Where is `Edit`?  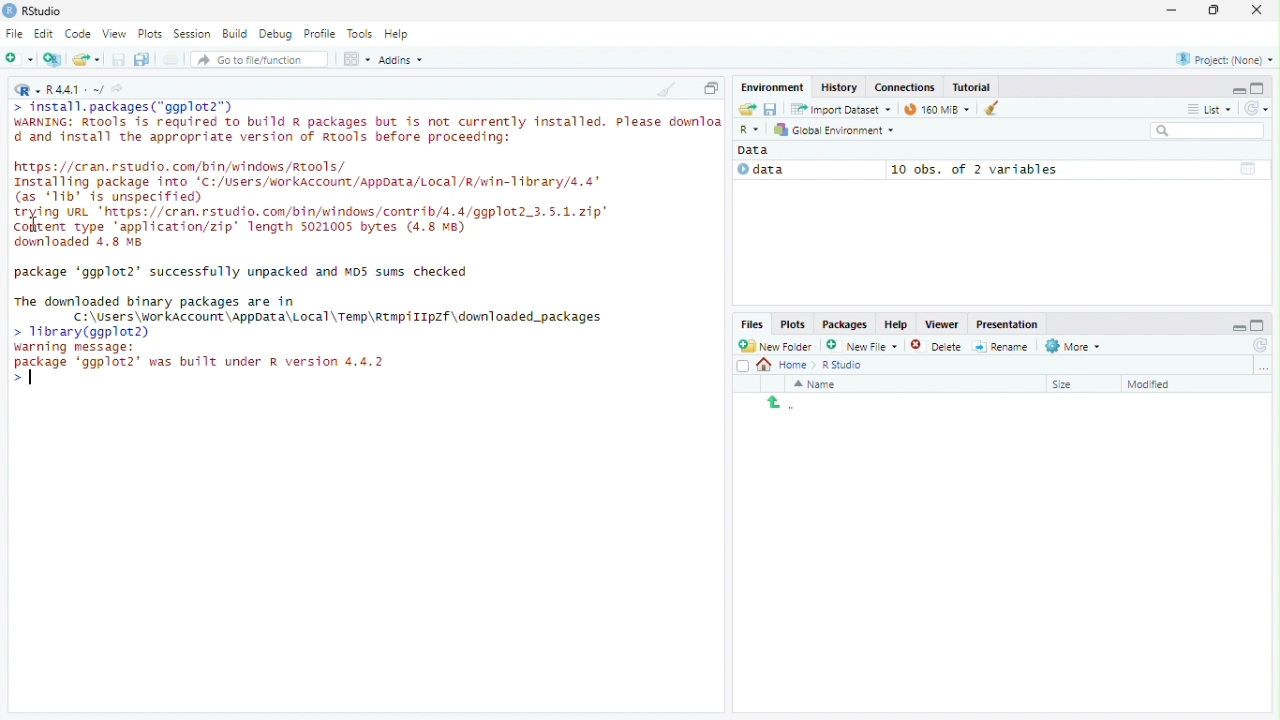 Edit is located at coordinates (45, 34).